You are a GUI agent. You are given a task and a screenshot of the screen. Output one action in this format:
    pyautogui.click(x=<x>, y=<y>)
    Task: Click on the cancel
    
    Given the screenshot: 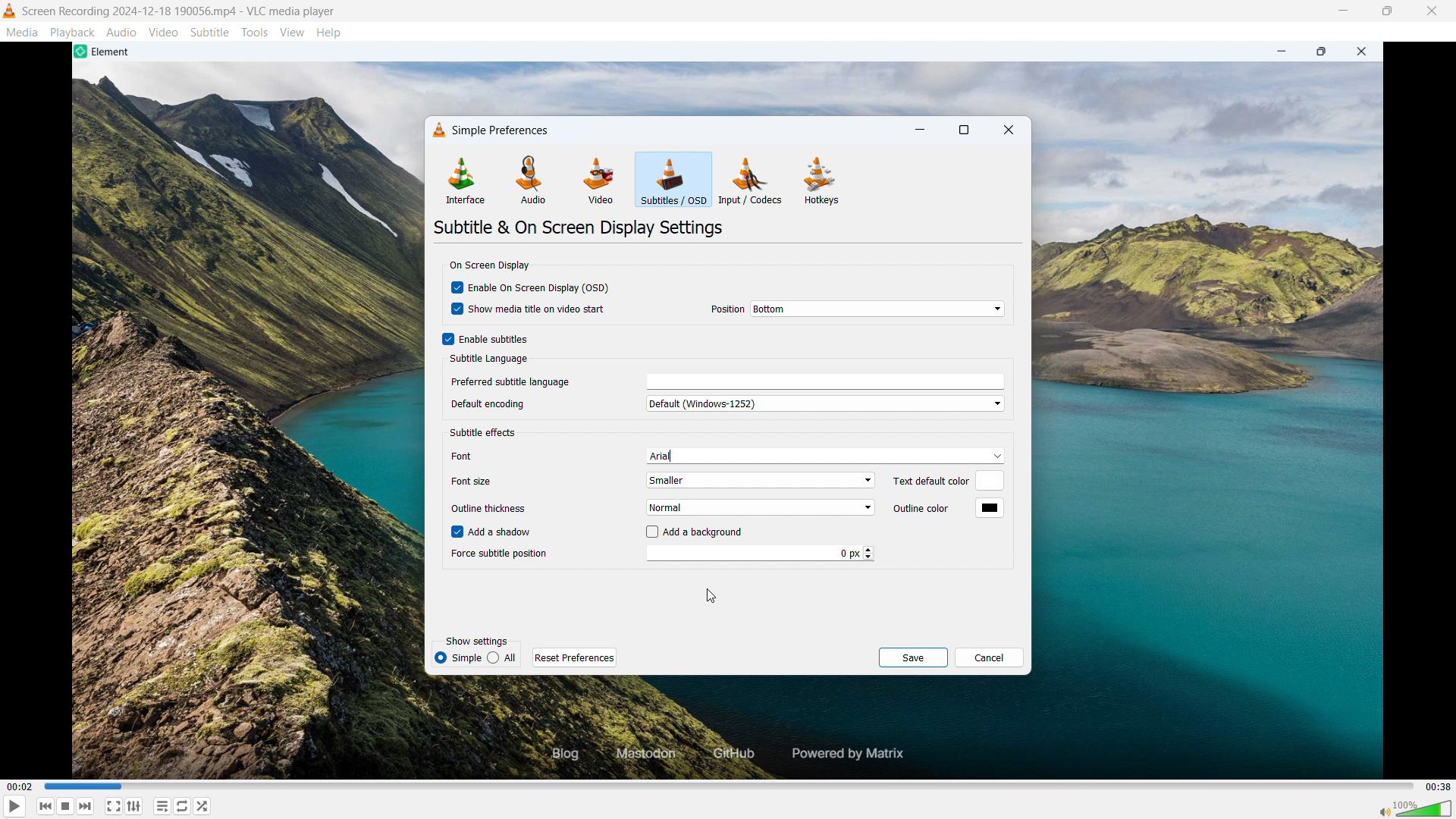 What is the action you would take?
    pyautogui.click(x=990, y=657)
    